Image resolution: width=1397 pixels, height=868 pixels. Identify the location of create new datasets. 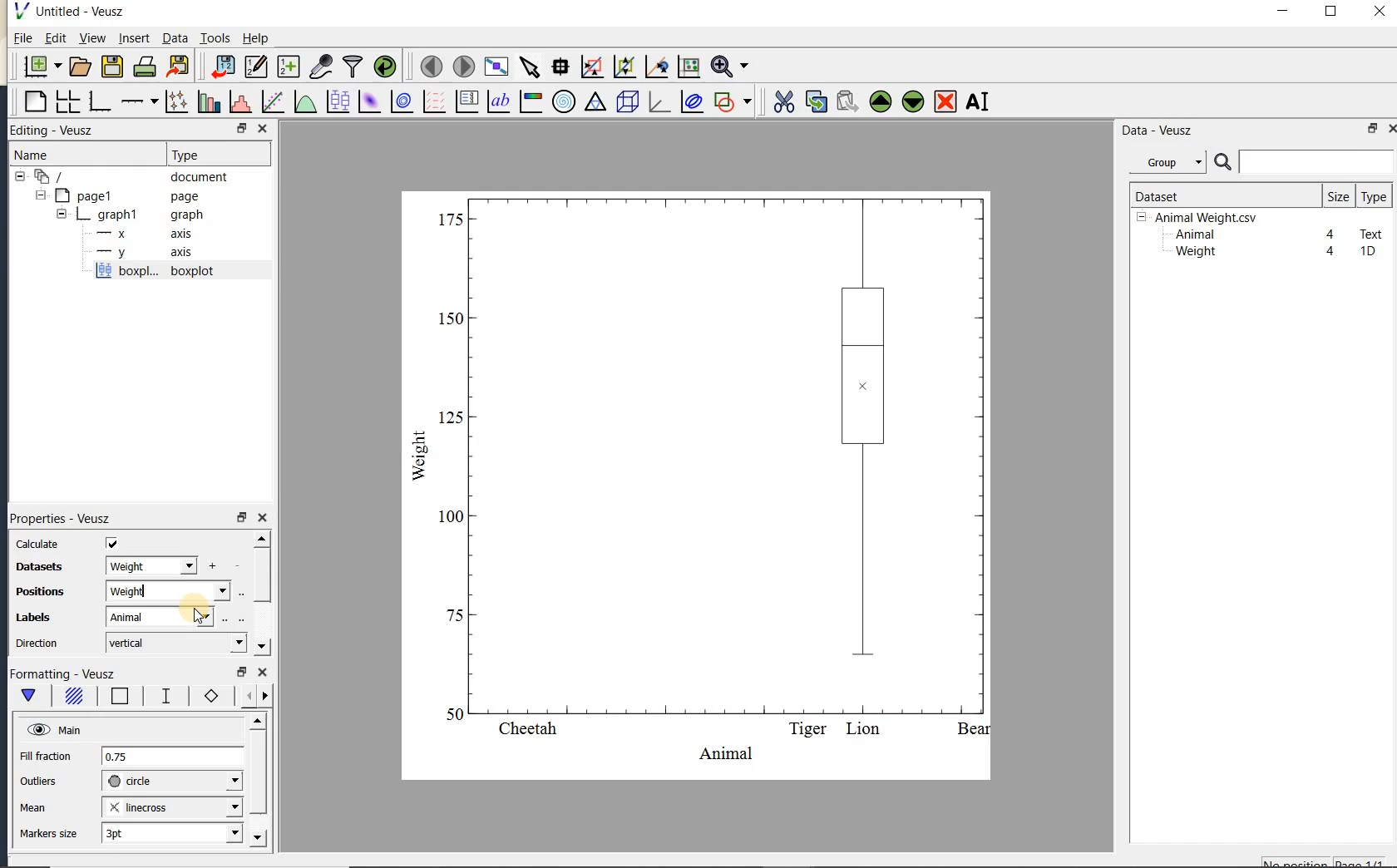
(289, 65).